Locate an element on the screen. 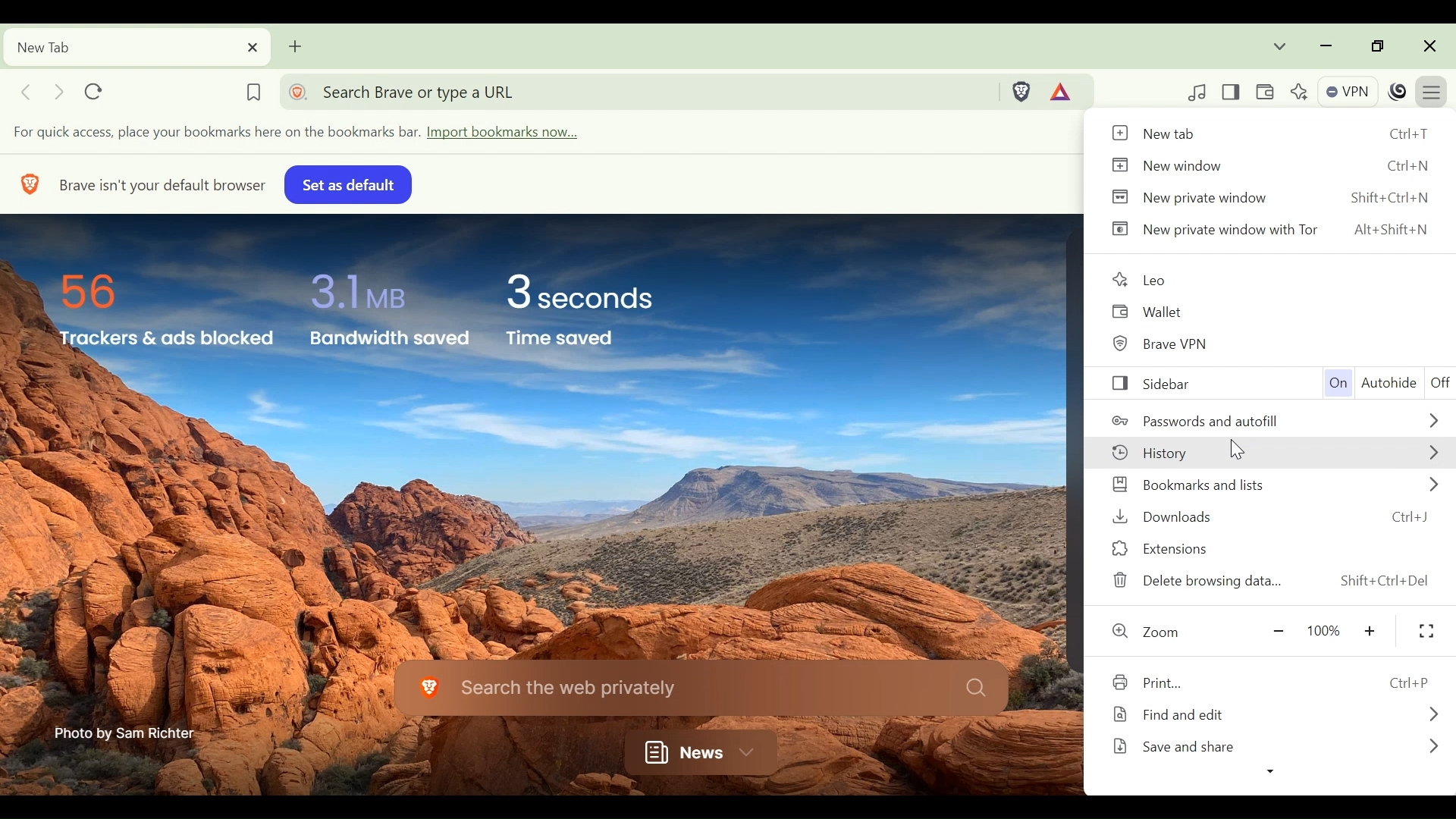  Leo is located at coordinates (1144, 277).